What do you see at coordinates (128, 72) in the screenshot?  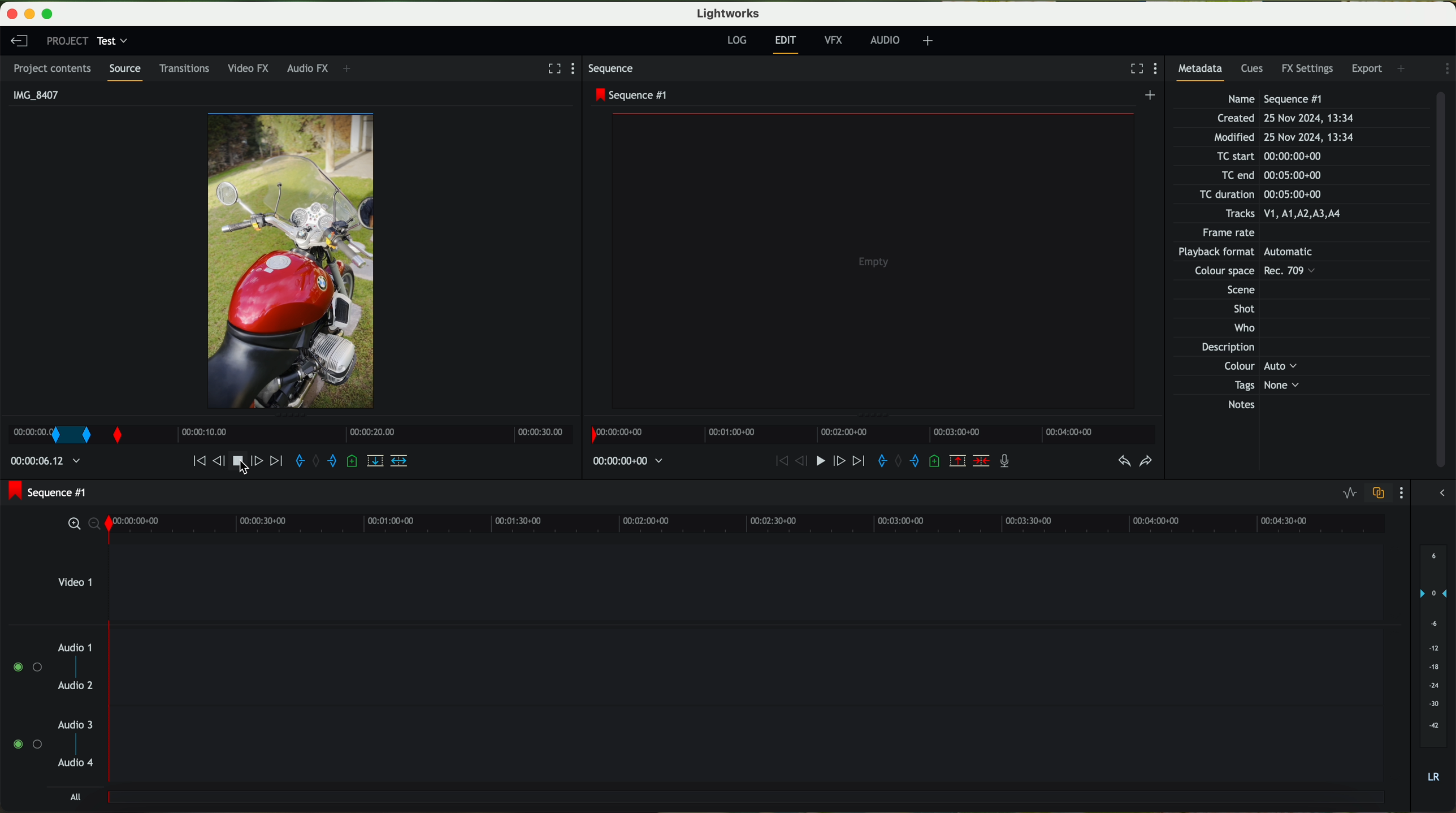 I see `source` at bounding box center [128, 72].